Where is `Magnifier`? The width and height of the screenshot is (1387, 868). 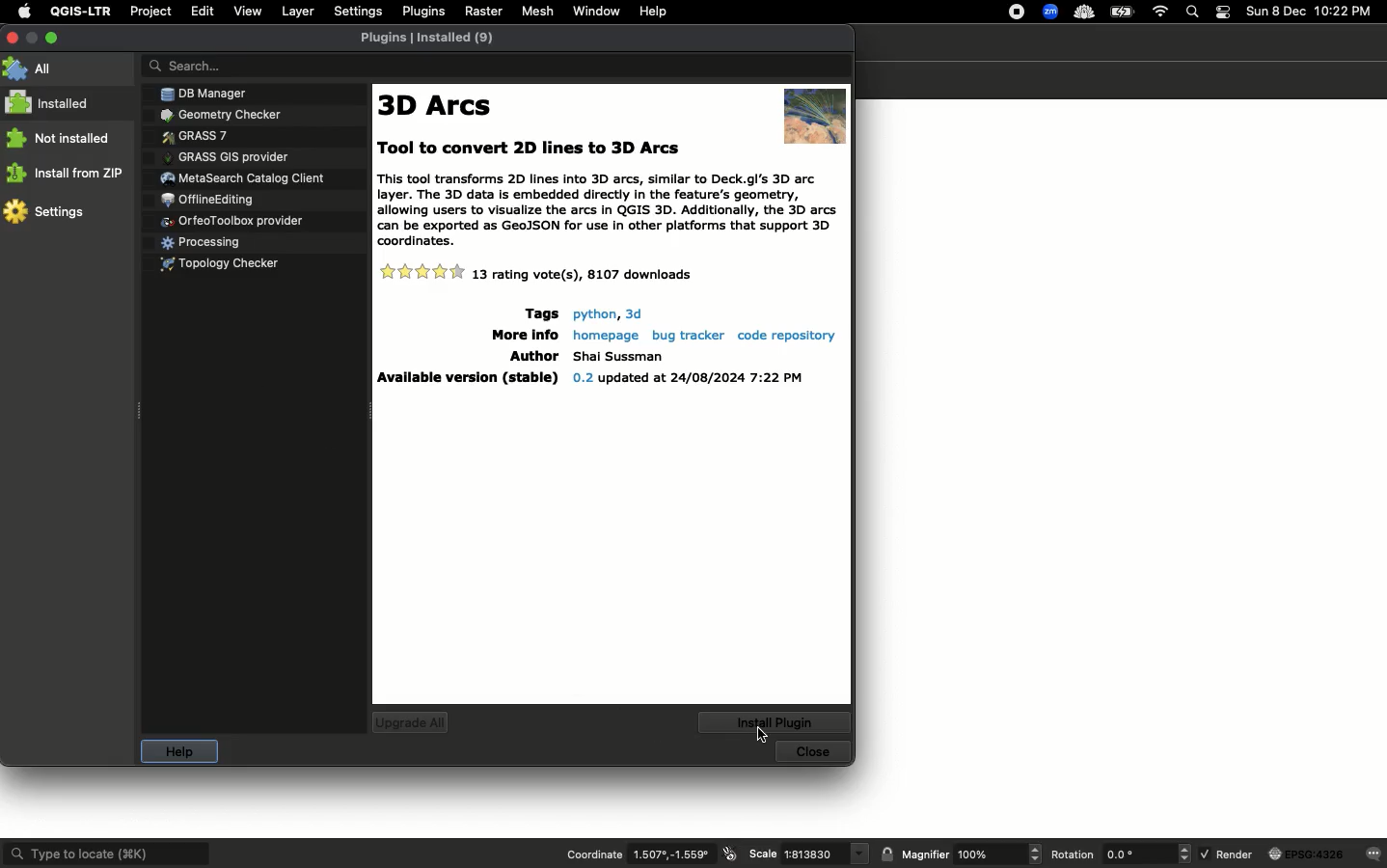 Magnifier is located at coordinates (925, 854).